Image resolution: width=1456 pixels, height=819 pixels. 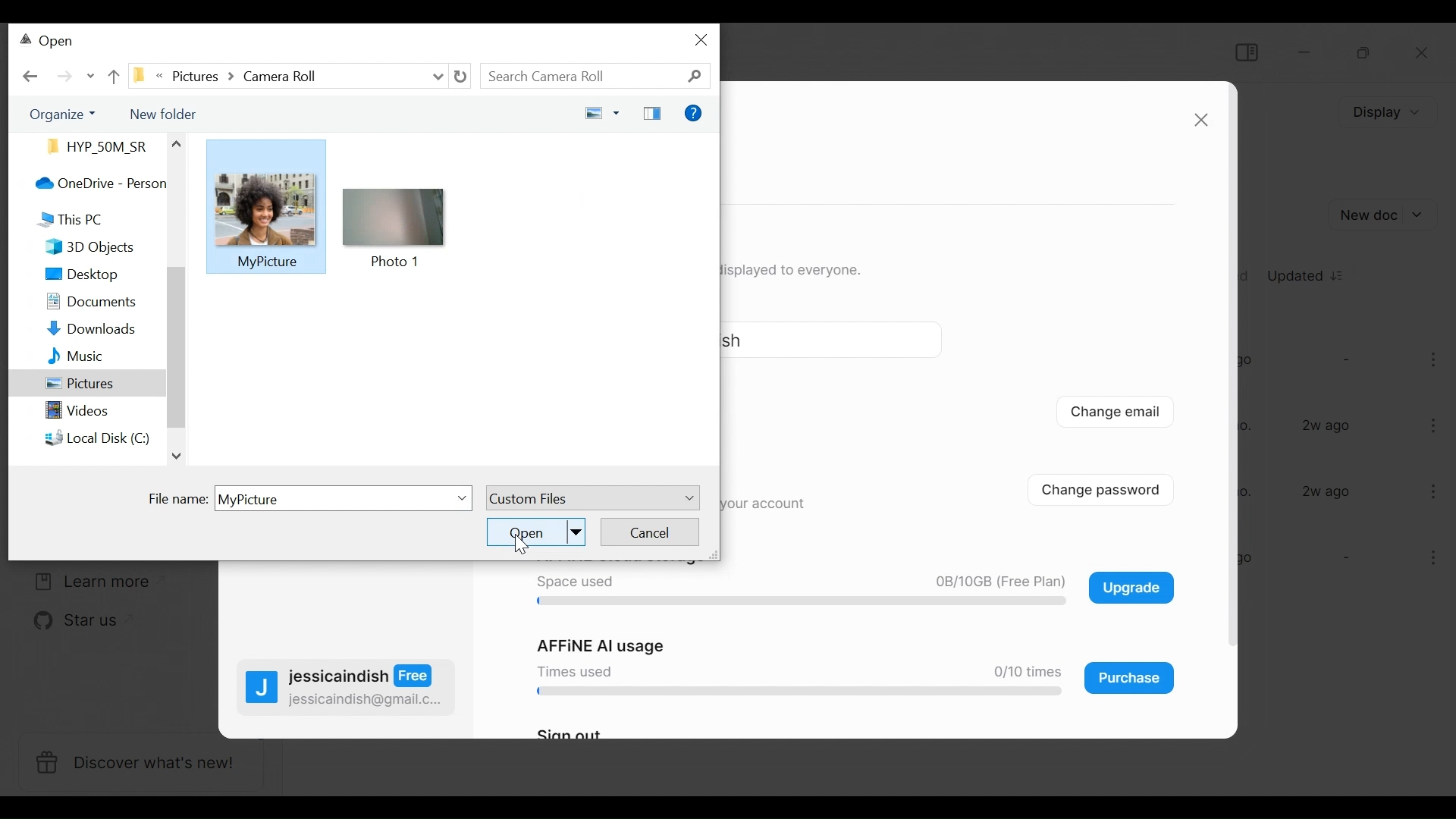 What do you see at coordinates (397, 262) in the screenshot?
I see `Photo 1` at bounding box center [397, 262].